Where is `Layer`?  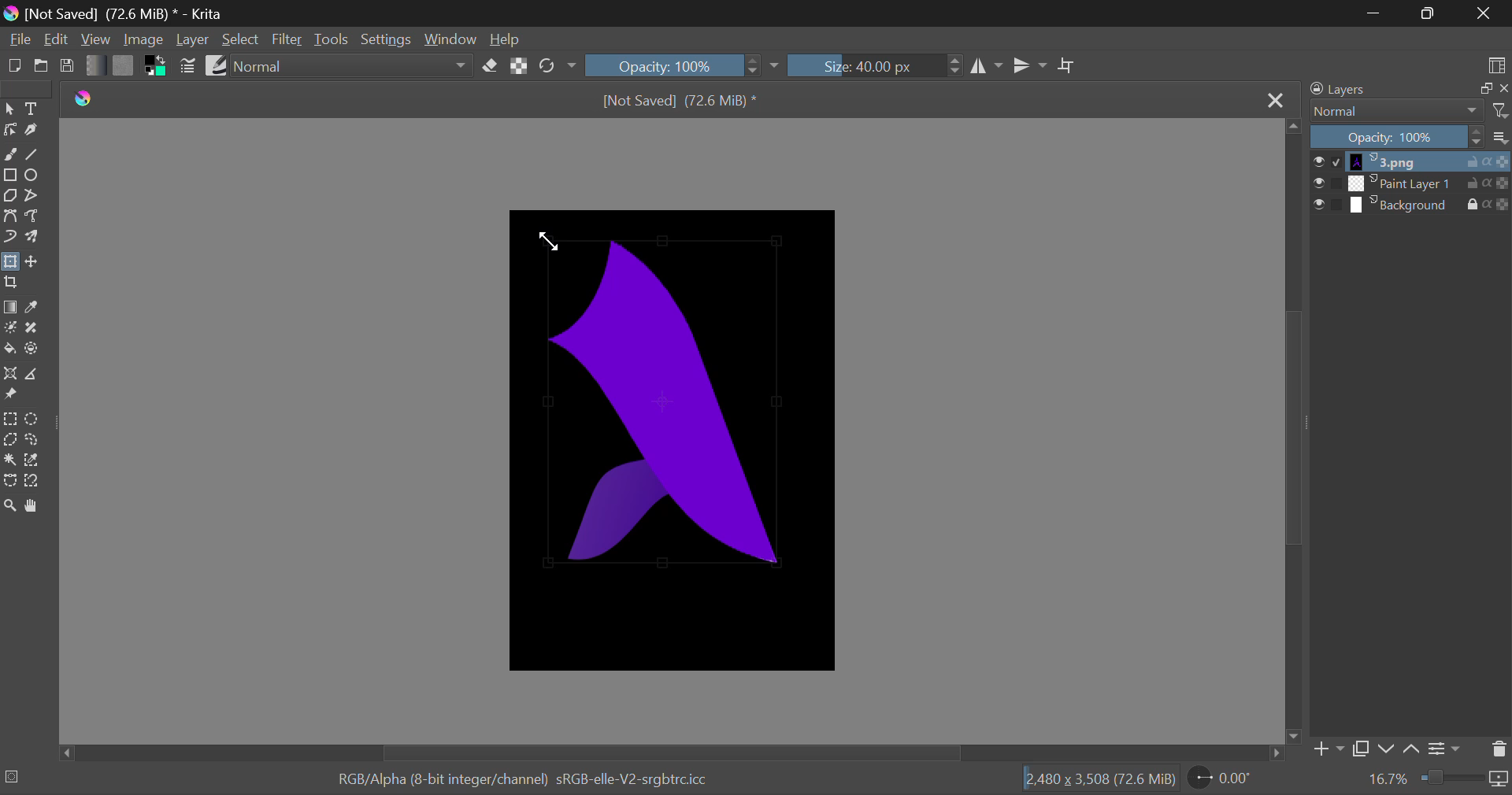
Layer is located at coordinates (193, 39).